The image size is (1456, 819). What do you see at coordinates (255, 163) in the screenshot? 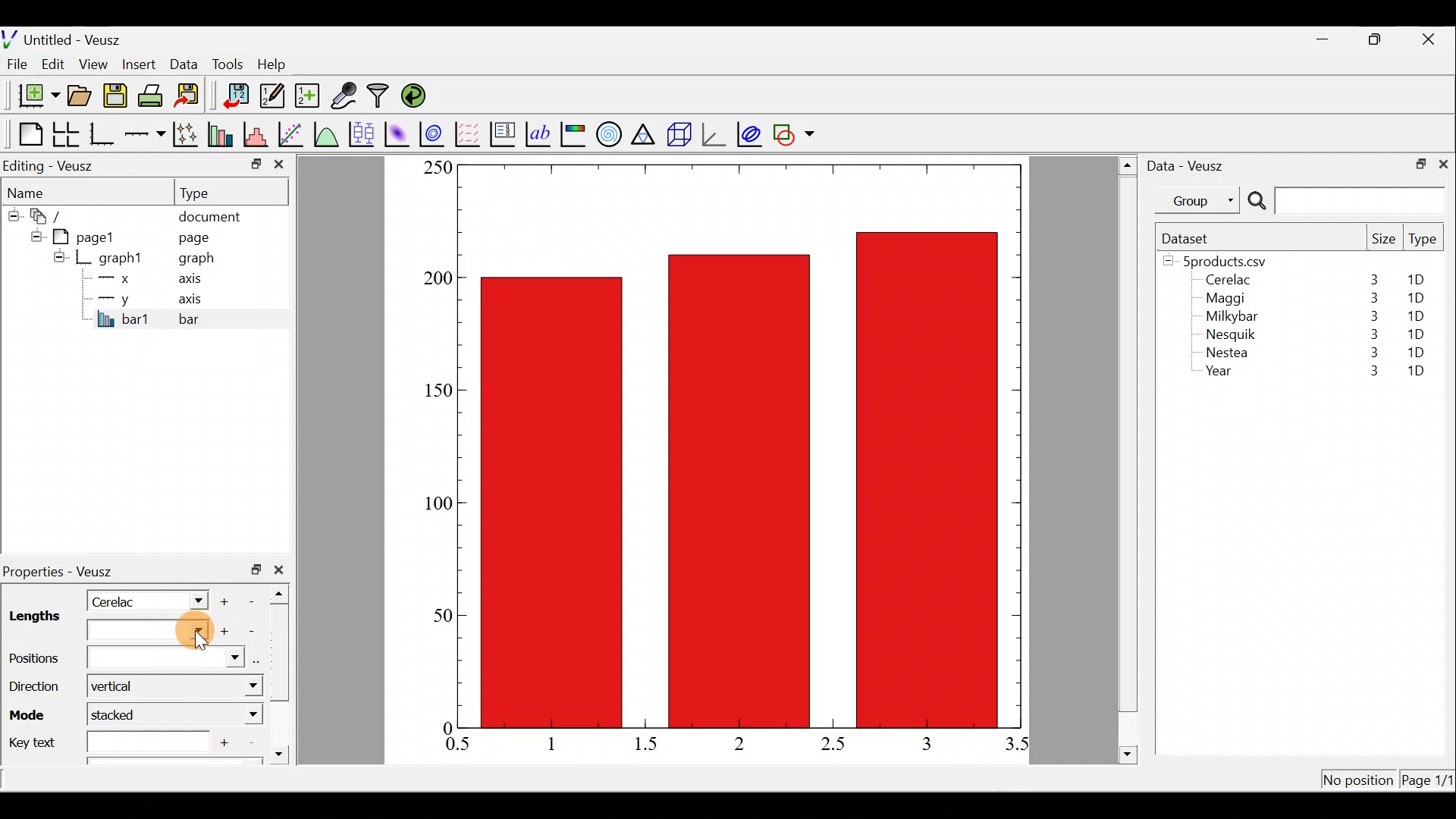
I see `minimize` at bounding box center [255, 163].